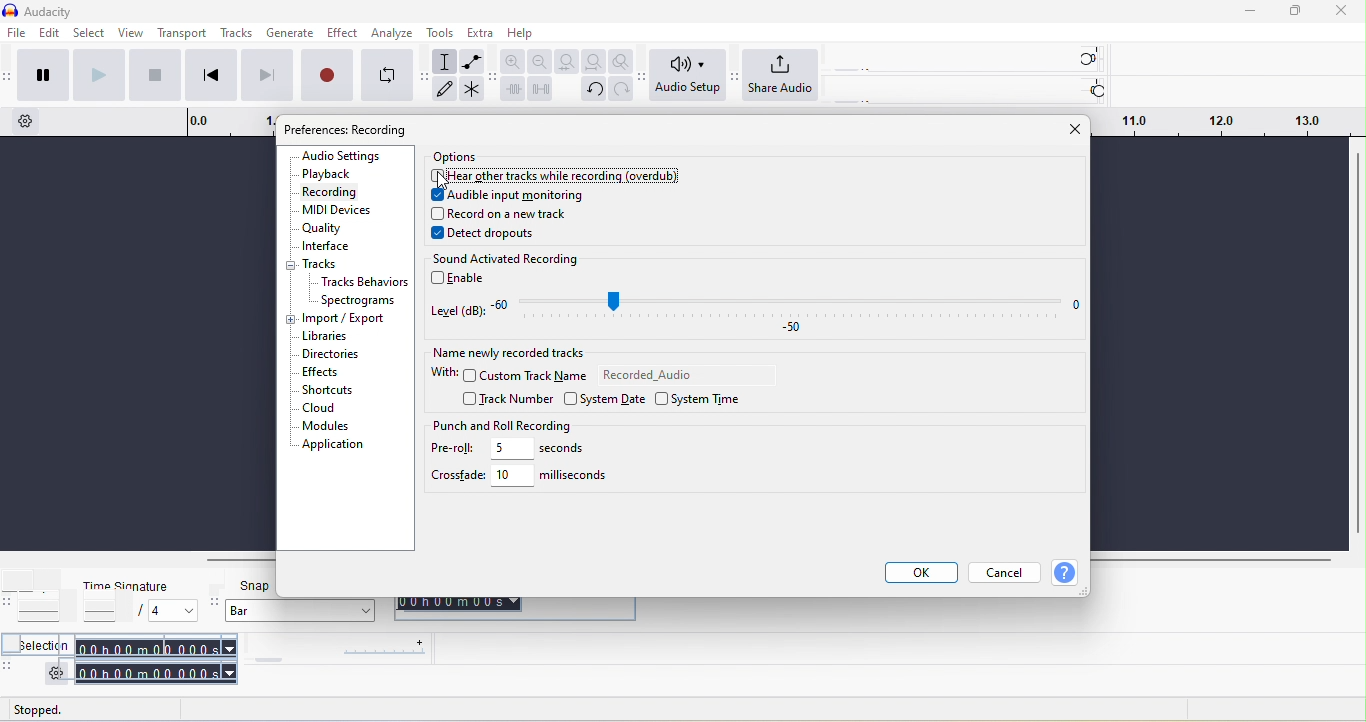 Image resolution: width=1366 pixels, height=722 pixels. I want to click on cursor movement, so click(447, 183).